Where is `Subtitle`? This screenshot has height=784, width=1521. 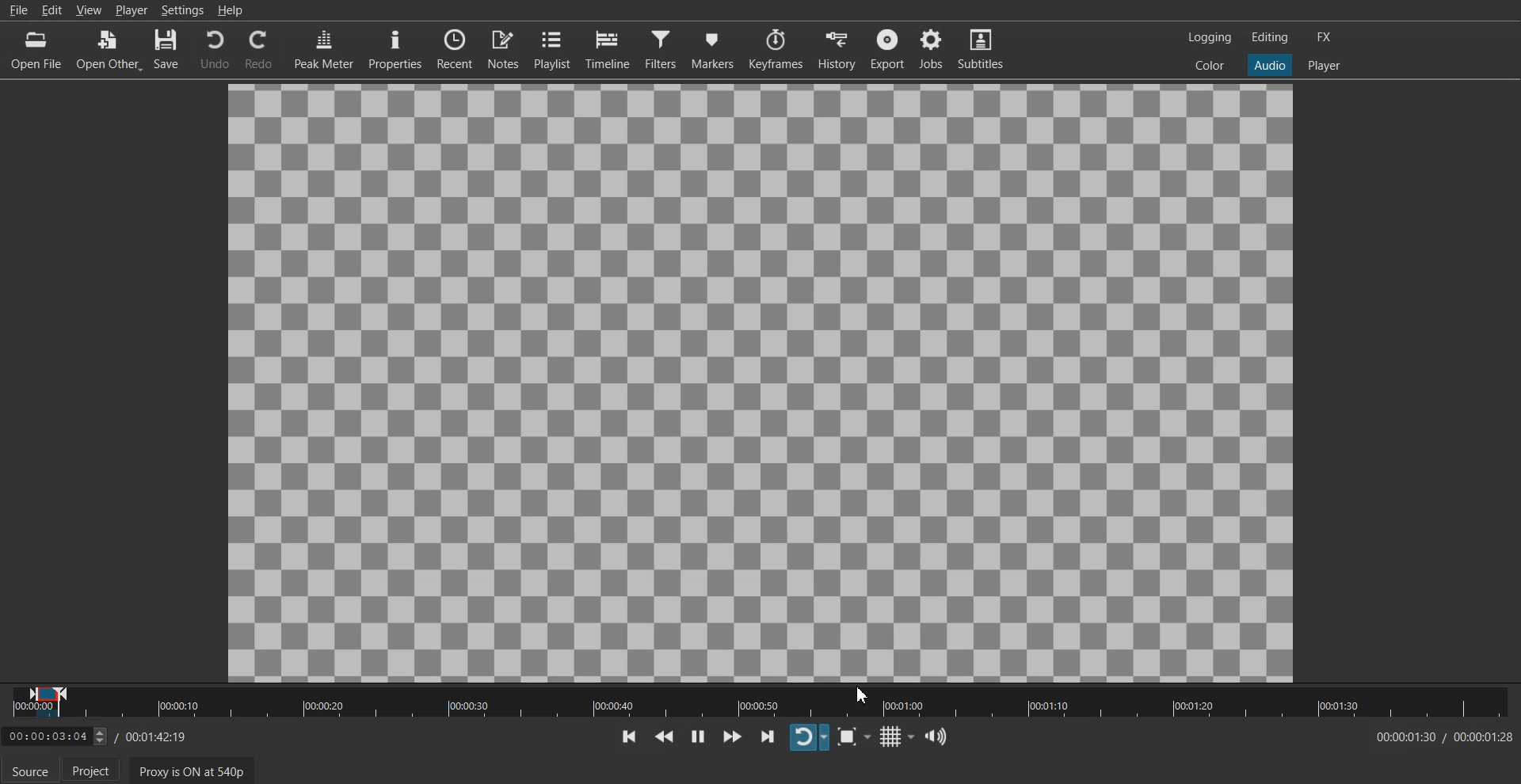
Subtitle is located at coordinates (982, 48).